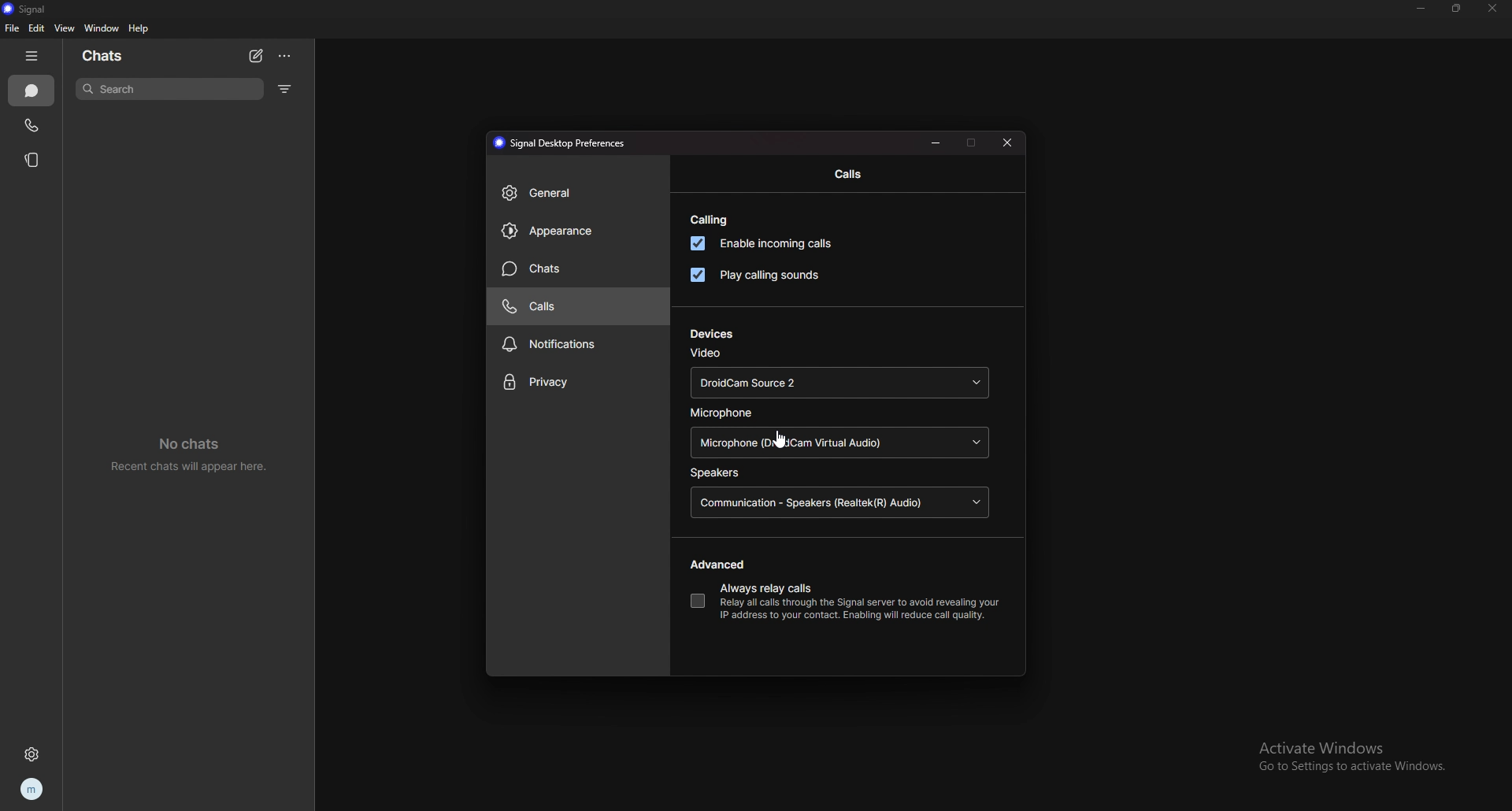 This screenshot has height=811, width=1512. Describe the element at coordinates (11, 28) in the screenshot. I see `file` at that location.